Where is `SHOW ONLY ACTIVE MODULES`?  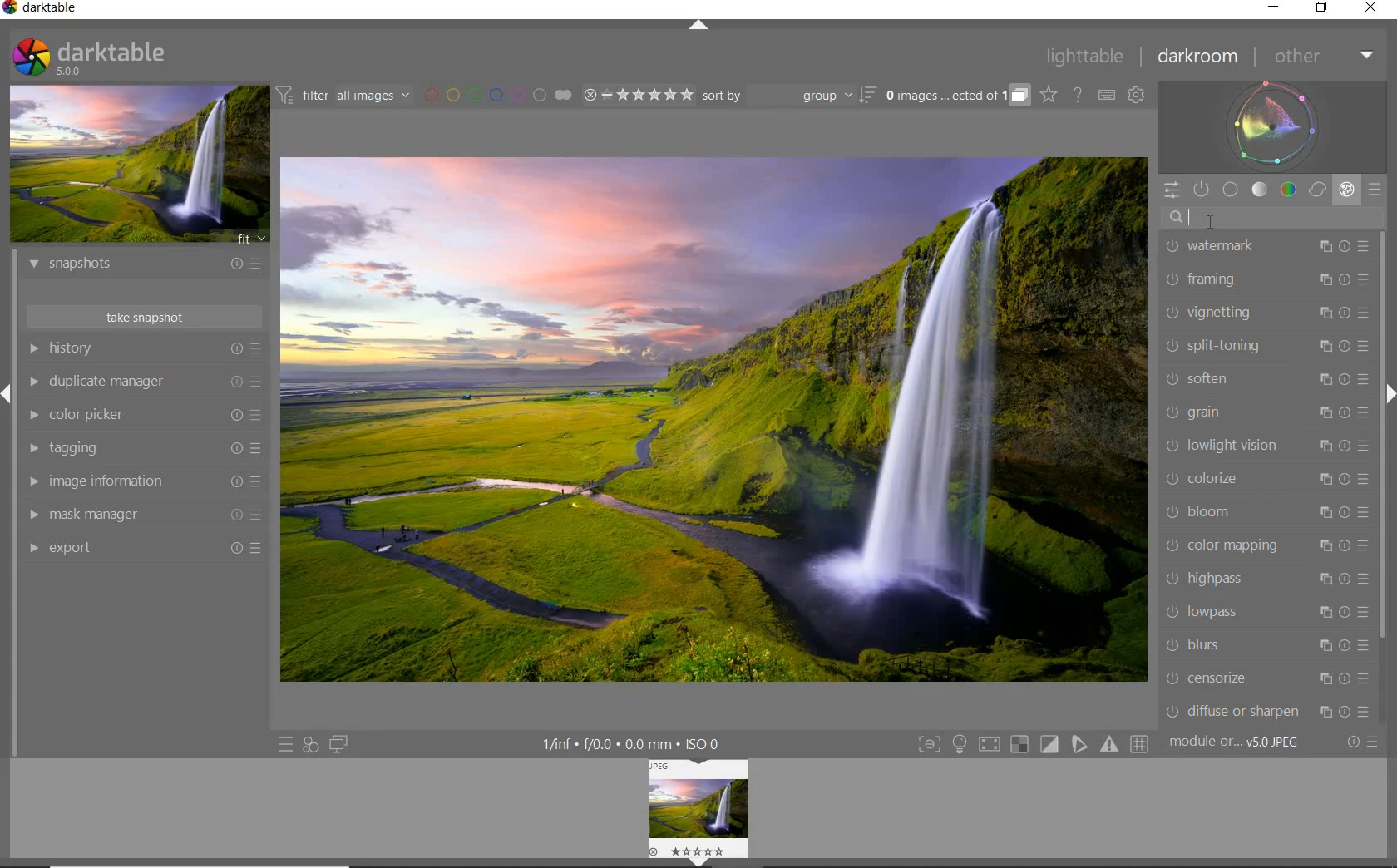
SHOW ONLY ACTIVE MODULES is located at coordinates (1202, 190).